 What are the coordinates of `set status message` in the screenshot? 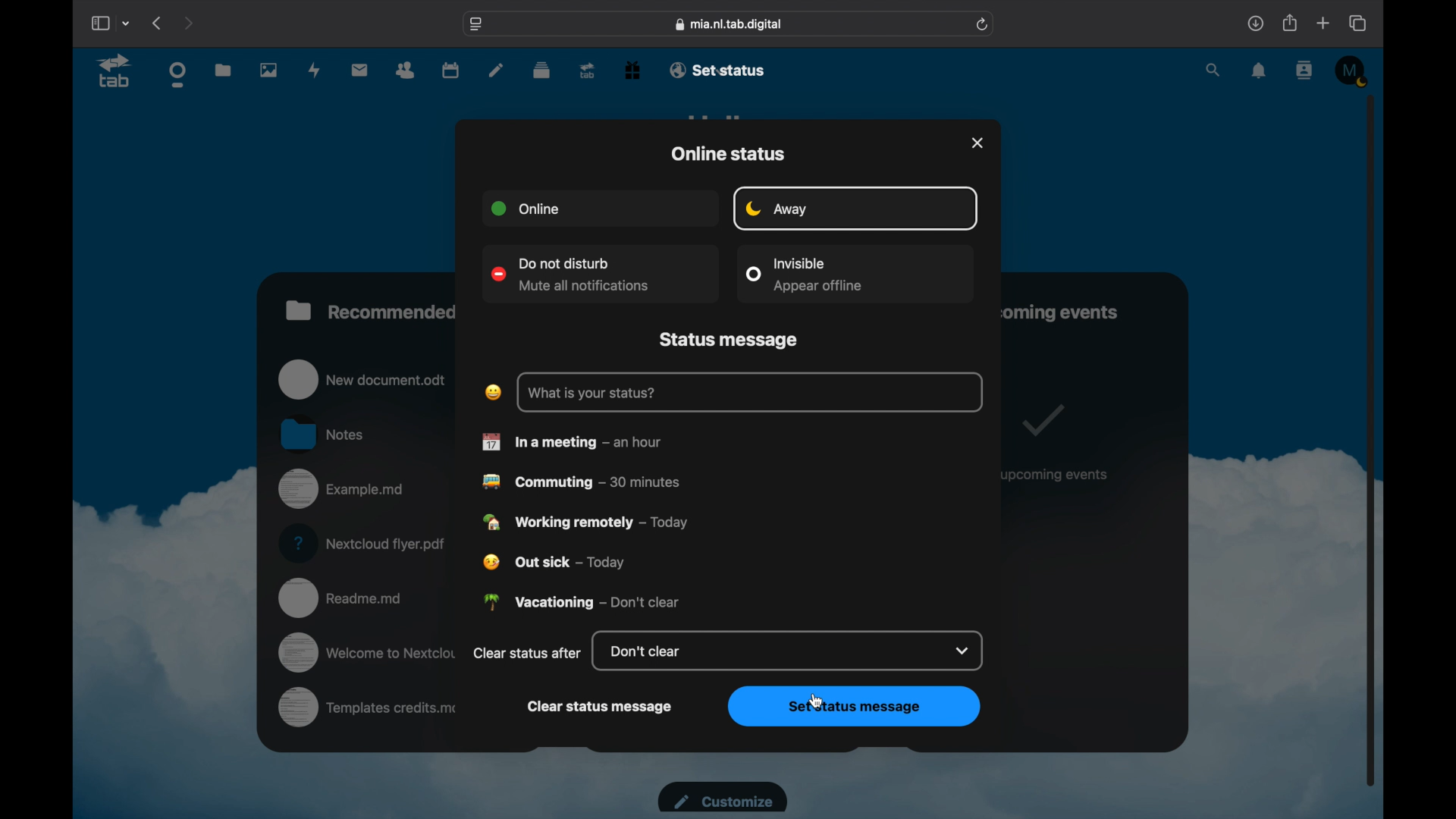 It's located at (855, 708).